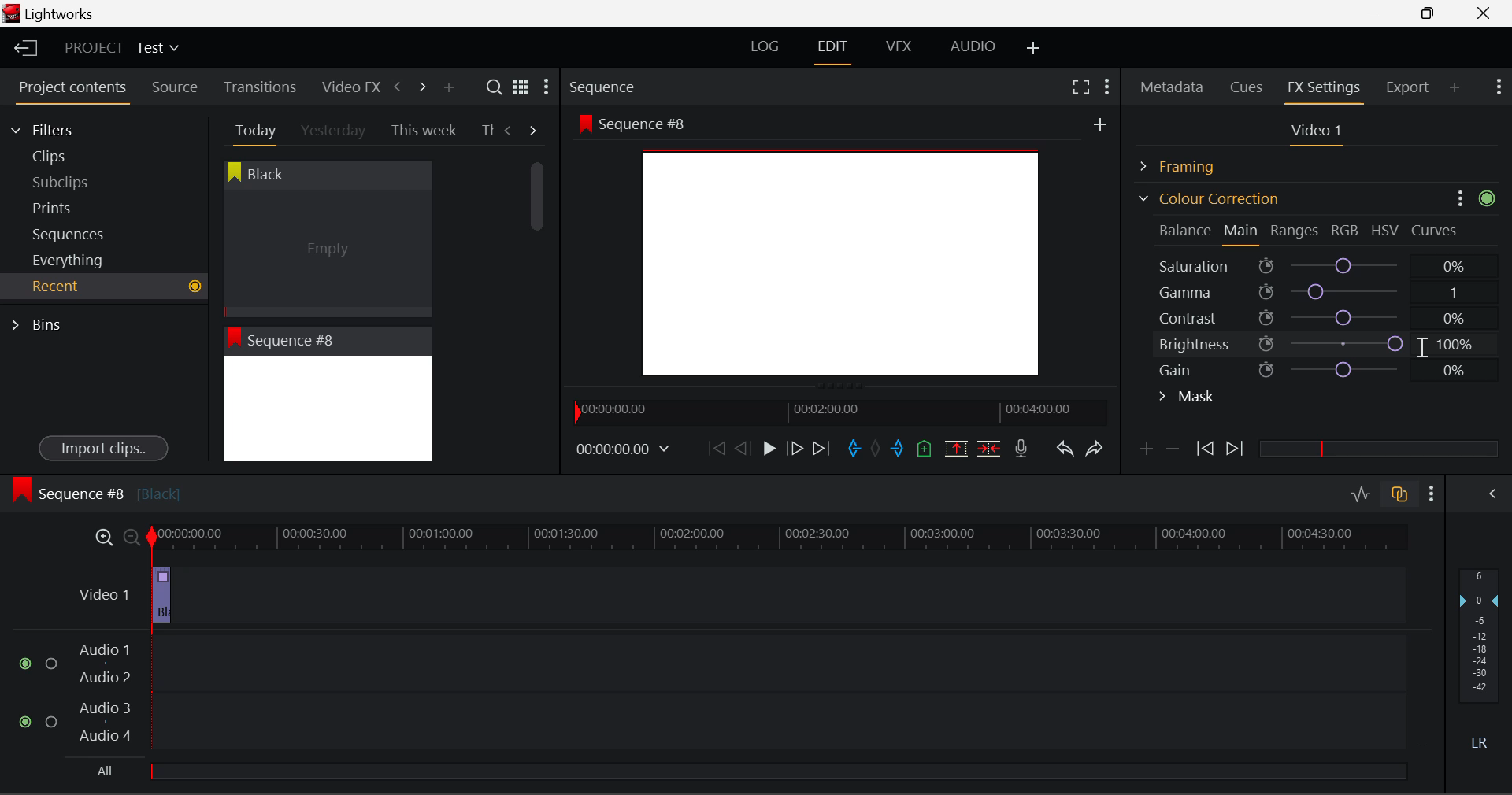 The image size is (1512, 795). What do you see at coordinates (1319, 134) in the screenshot?
I see `Video 1 Settings` at bounding box center [1319, 134].